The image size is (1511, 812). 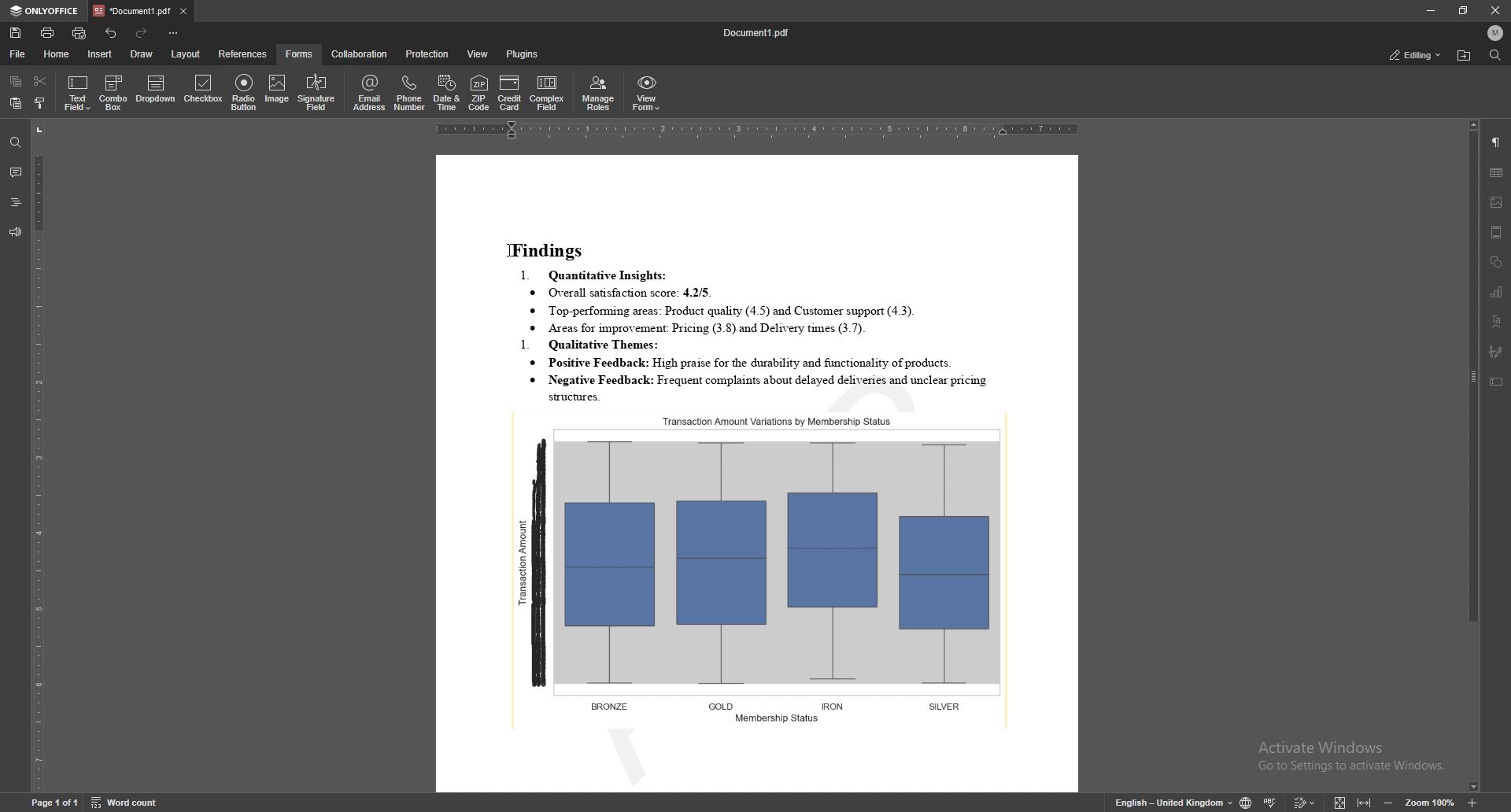 What do you see at coordinates (1245, 802) in the screenshot?
I see `change doc language` at bounding box center [1245, 802].